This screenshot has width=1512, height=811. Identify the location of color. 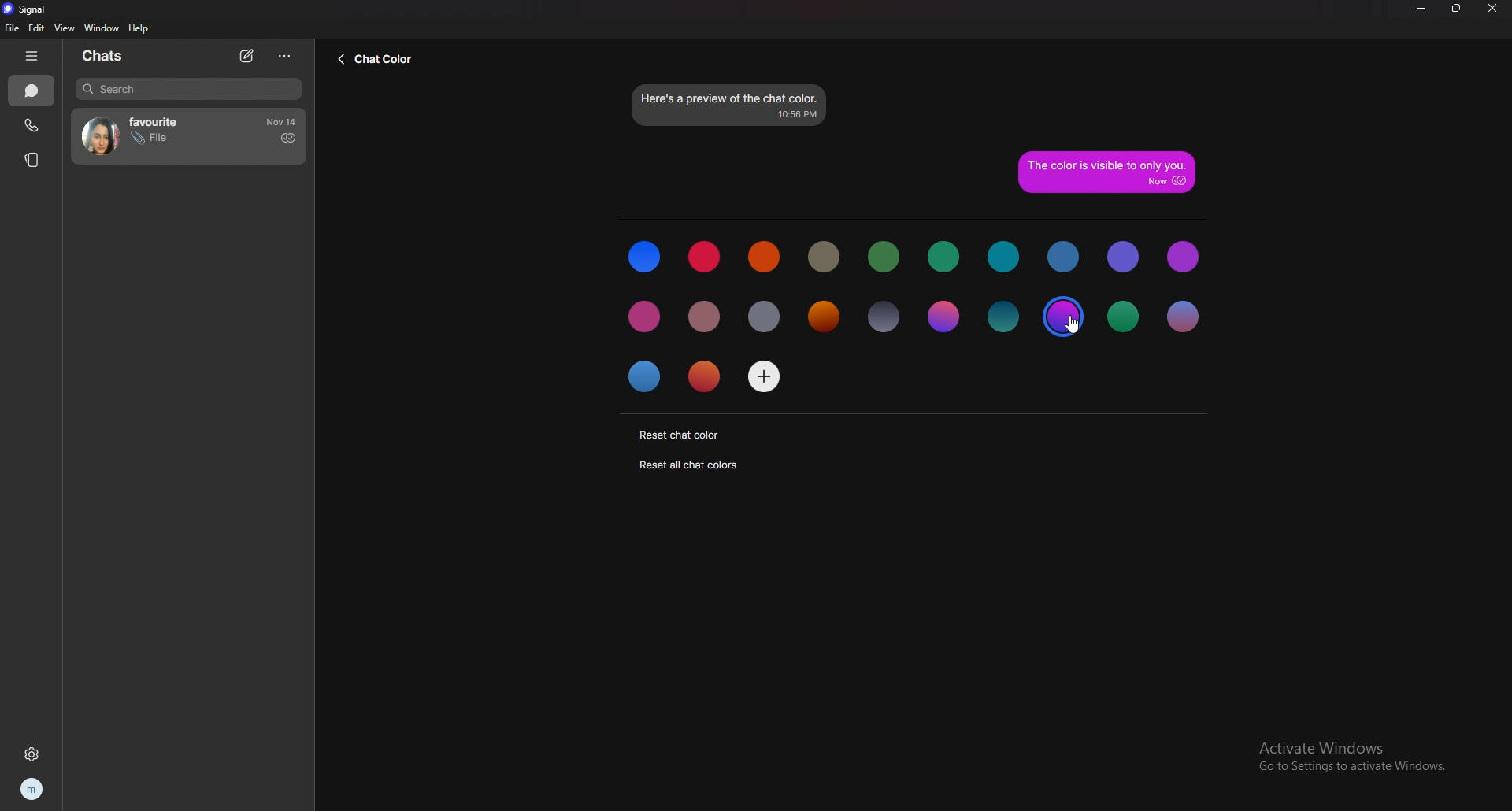
(1005, 257).